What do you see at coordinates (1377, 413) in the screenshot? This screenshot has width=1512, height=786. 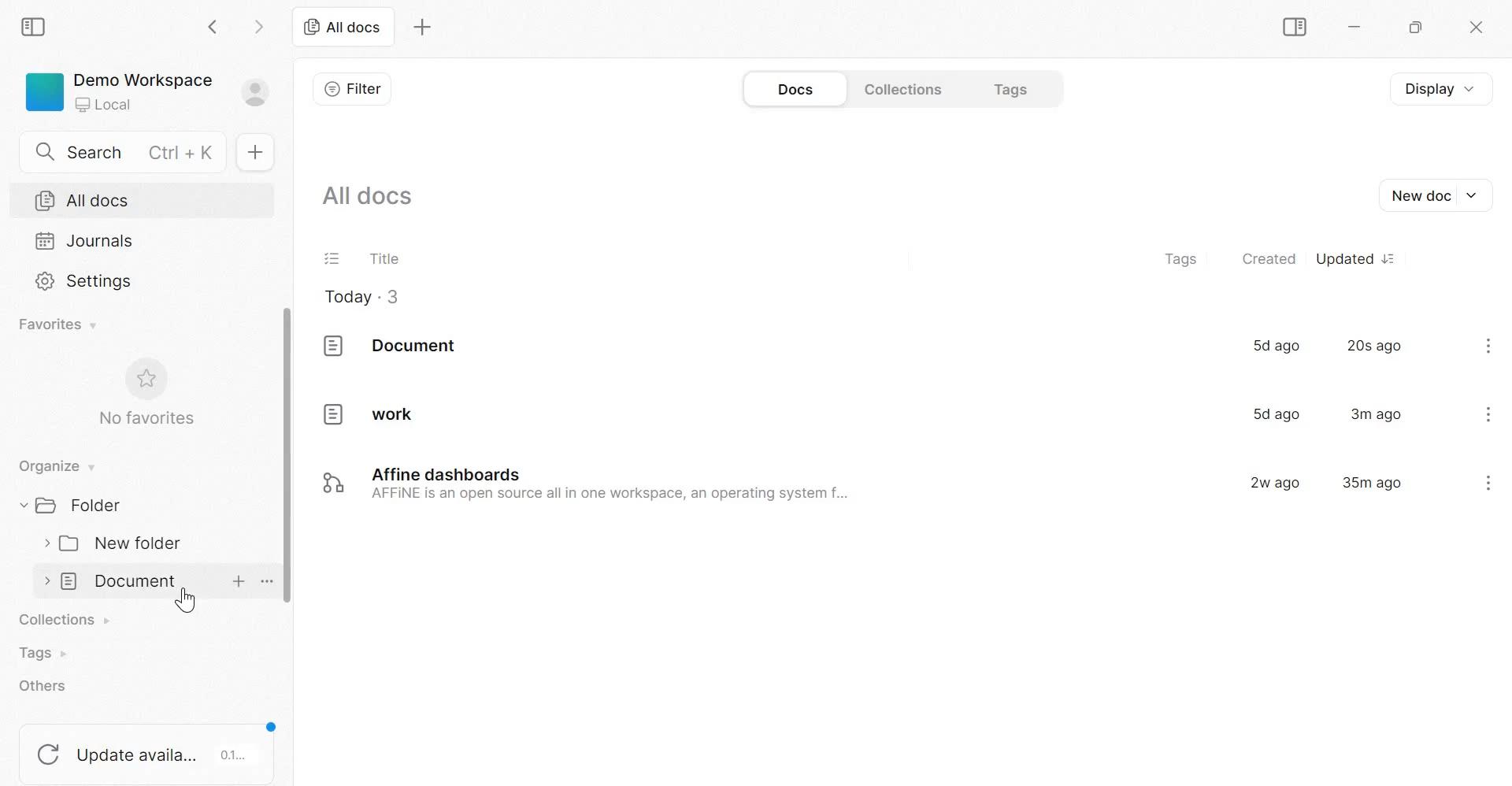 I see `3m ago` at bounding box center [1377, 413].